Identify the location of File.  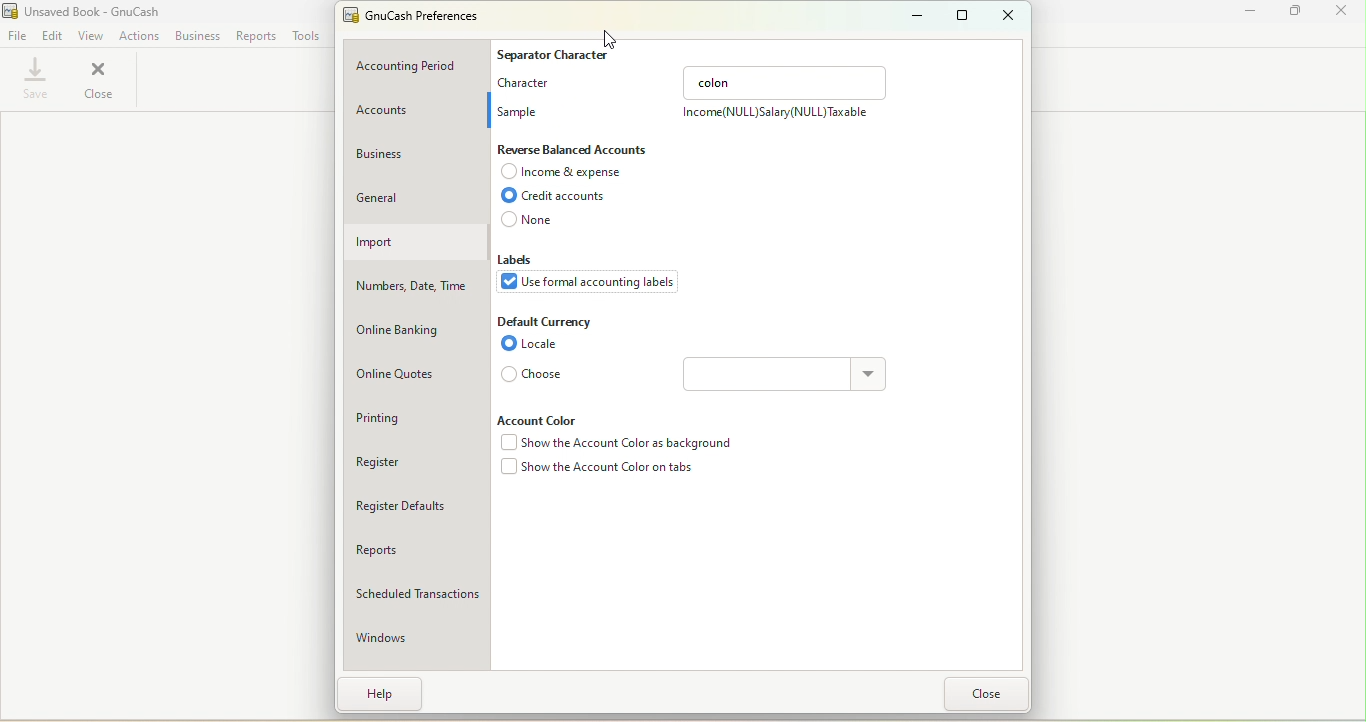
(17, 34).